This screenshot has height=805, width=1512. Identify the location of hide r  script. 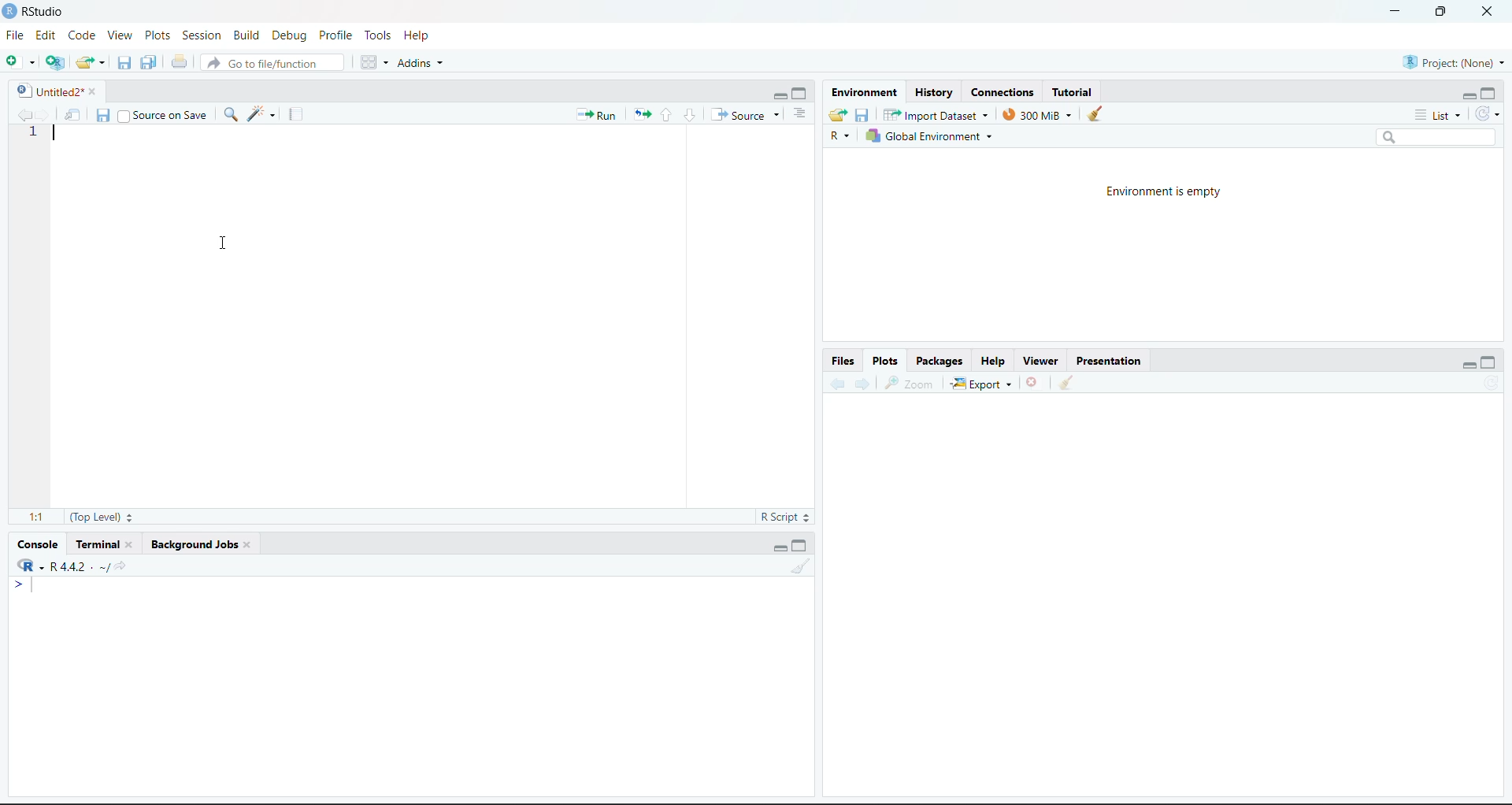
(1464, 95).